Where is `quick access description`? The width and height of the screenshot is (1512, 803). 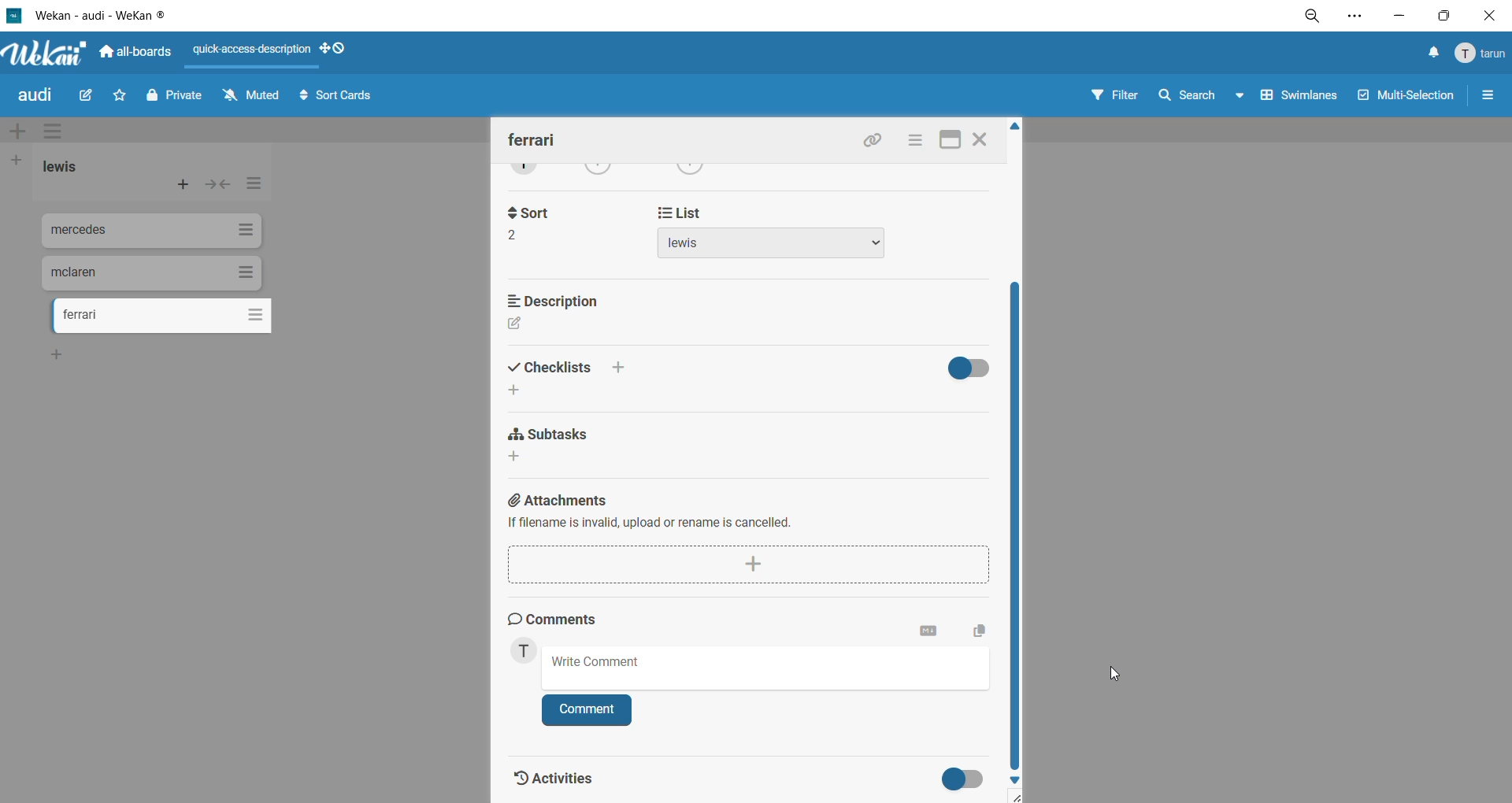
quick access description is located at coordinates (254, 52).